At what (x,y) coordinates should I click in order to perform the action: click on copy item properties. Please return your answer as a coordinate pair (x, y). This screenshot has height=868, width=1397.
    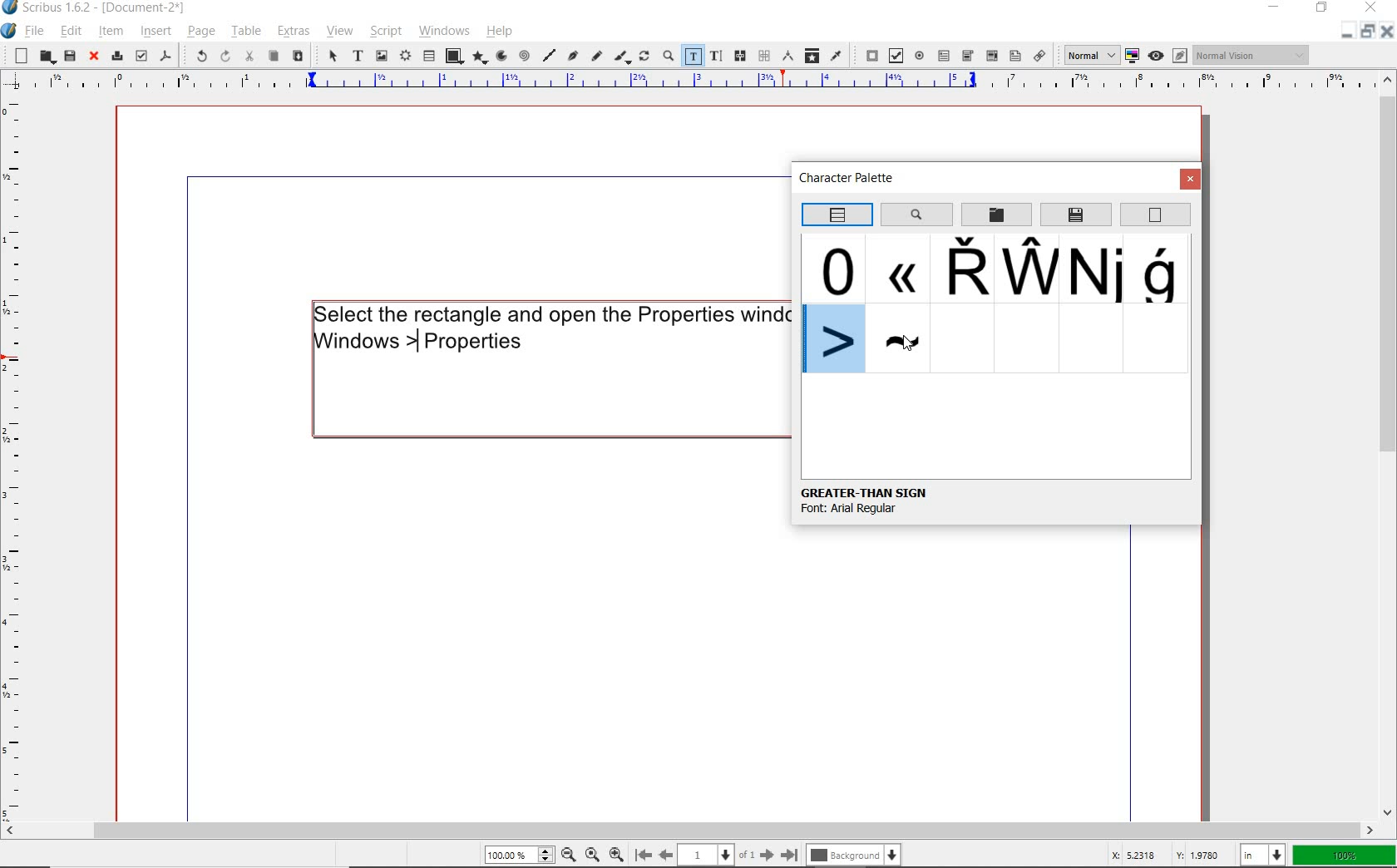
    Looking at the image, I should click on (812, 55).